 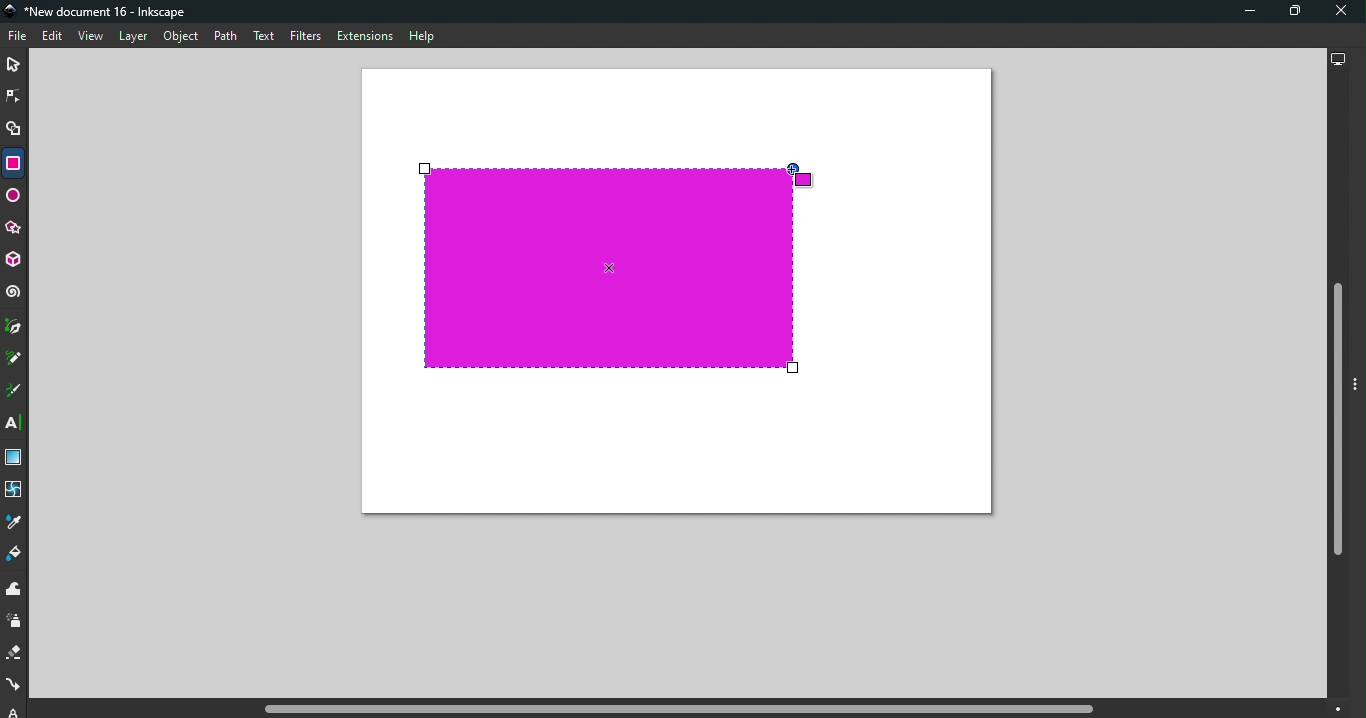 What do you see at coordinates (51, 37) in the screenshot?
I see `Edit` at bounding box center [51, 37].